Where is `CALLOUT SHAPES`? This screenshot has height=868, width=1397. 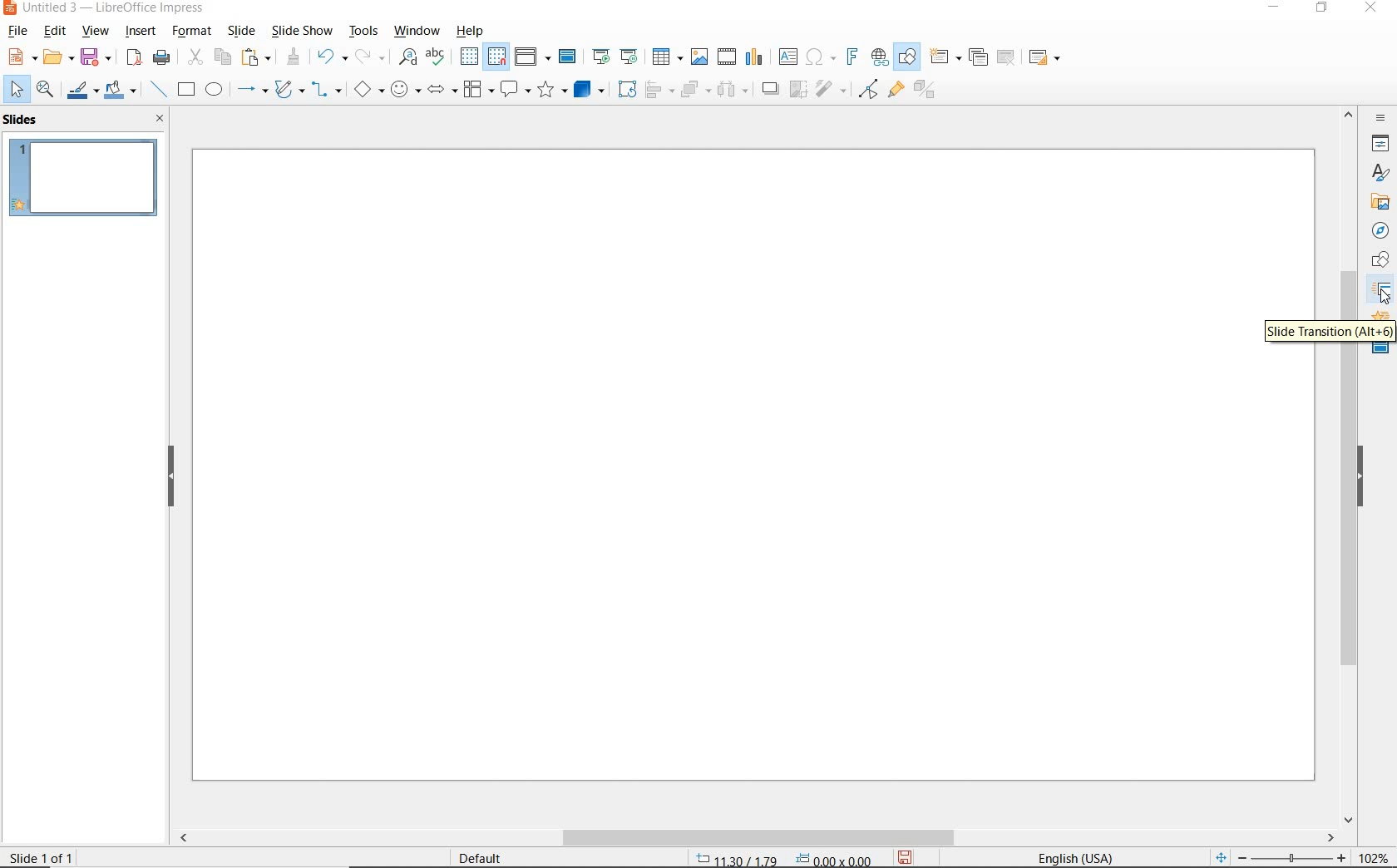 CALLOUT SHAPES is located at coordinates (515, 91).